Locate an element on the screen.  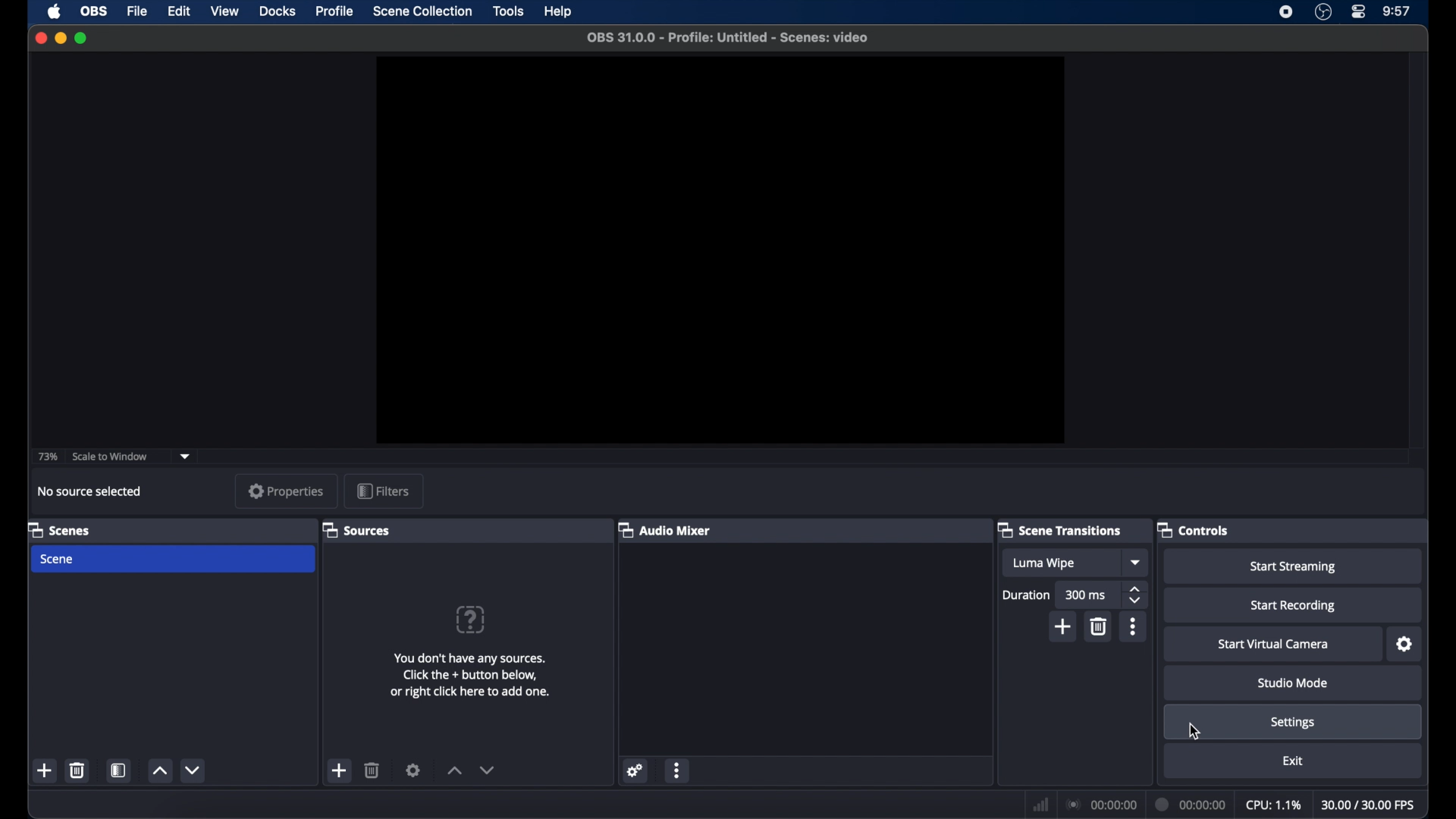
settings is located at coordinates (1293, 722).